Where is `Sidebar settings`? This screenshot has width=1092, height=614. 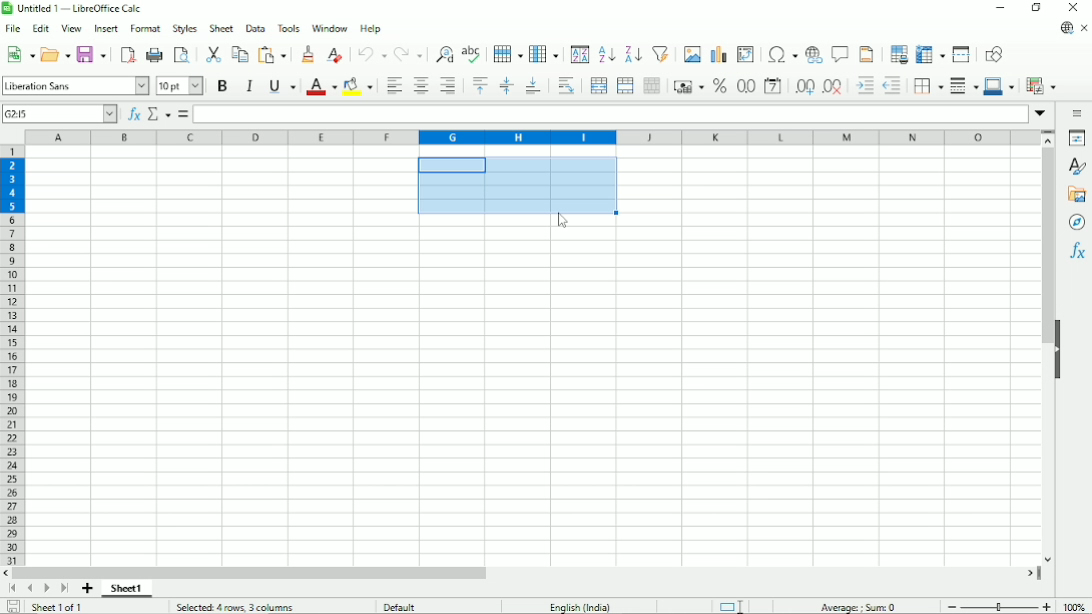
Sidebar settings is located at coordinates (1079, 113).